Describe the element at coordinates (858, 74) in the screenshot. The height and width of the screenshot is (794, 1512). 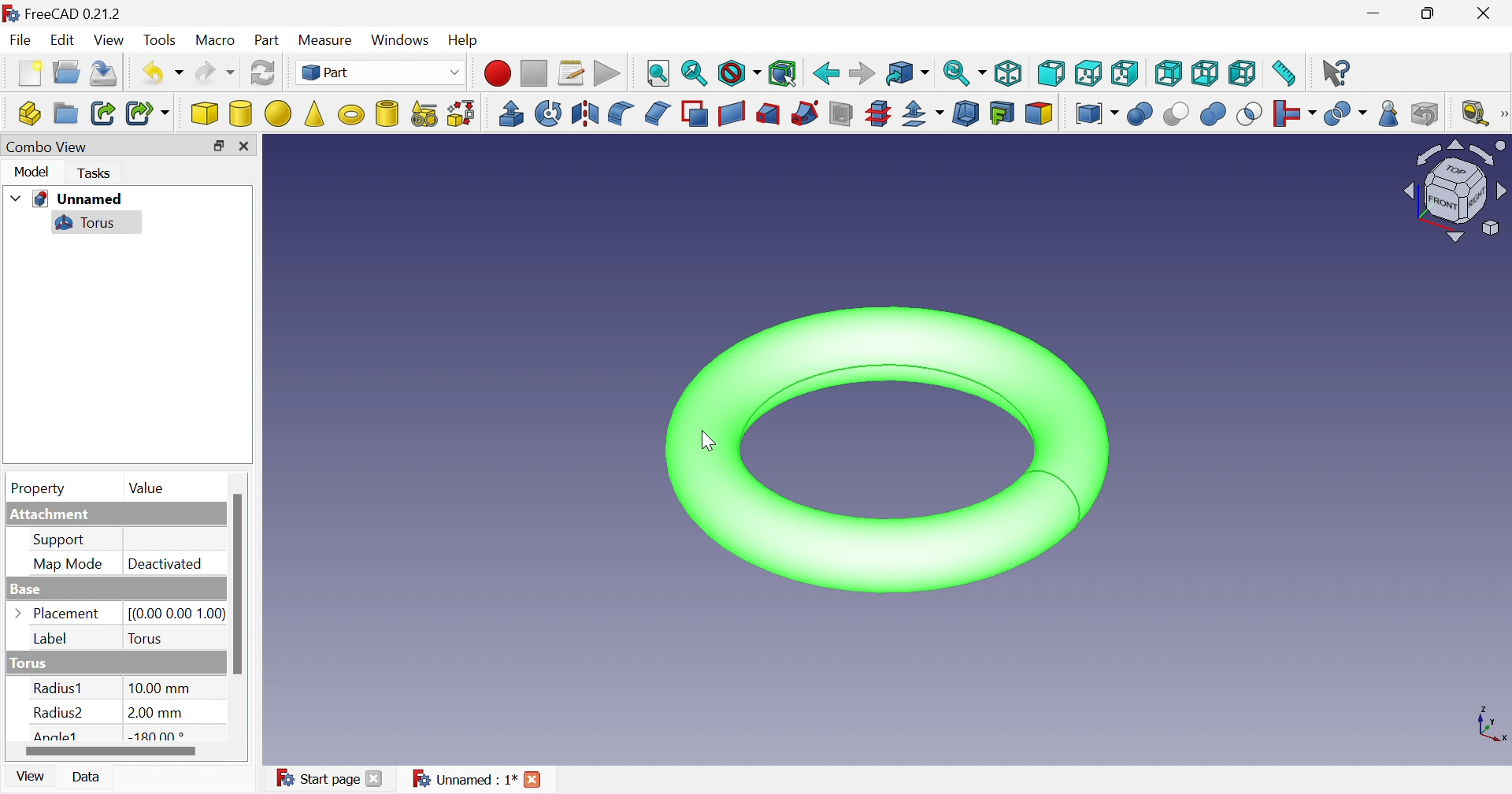
I see `Forward` at that location.